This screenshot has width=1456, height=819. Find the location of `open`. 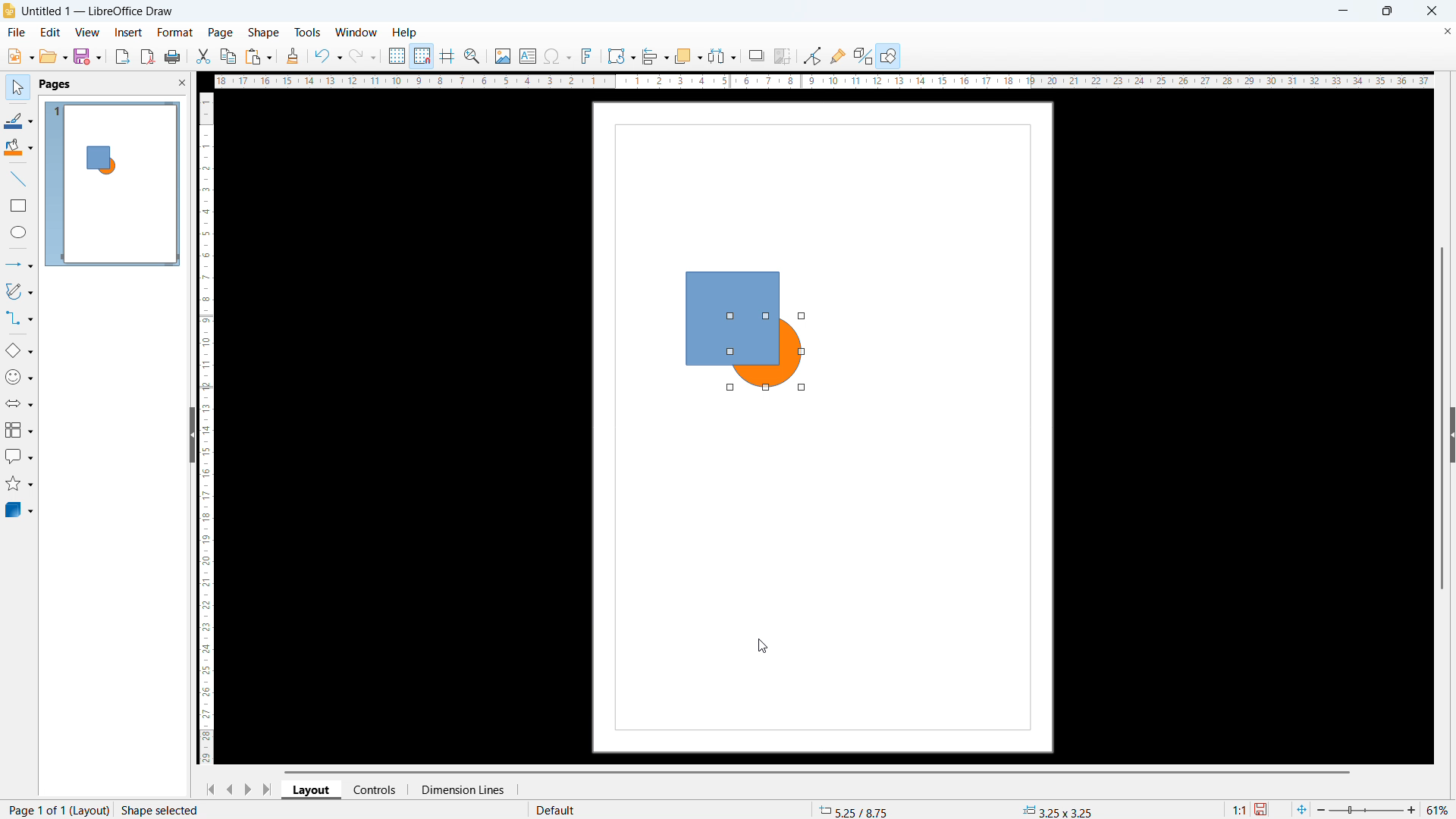

open is located at coordinates (53, 57).